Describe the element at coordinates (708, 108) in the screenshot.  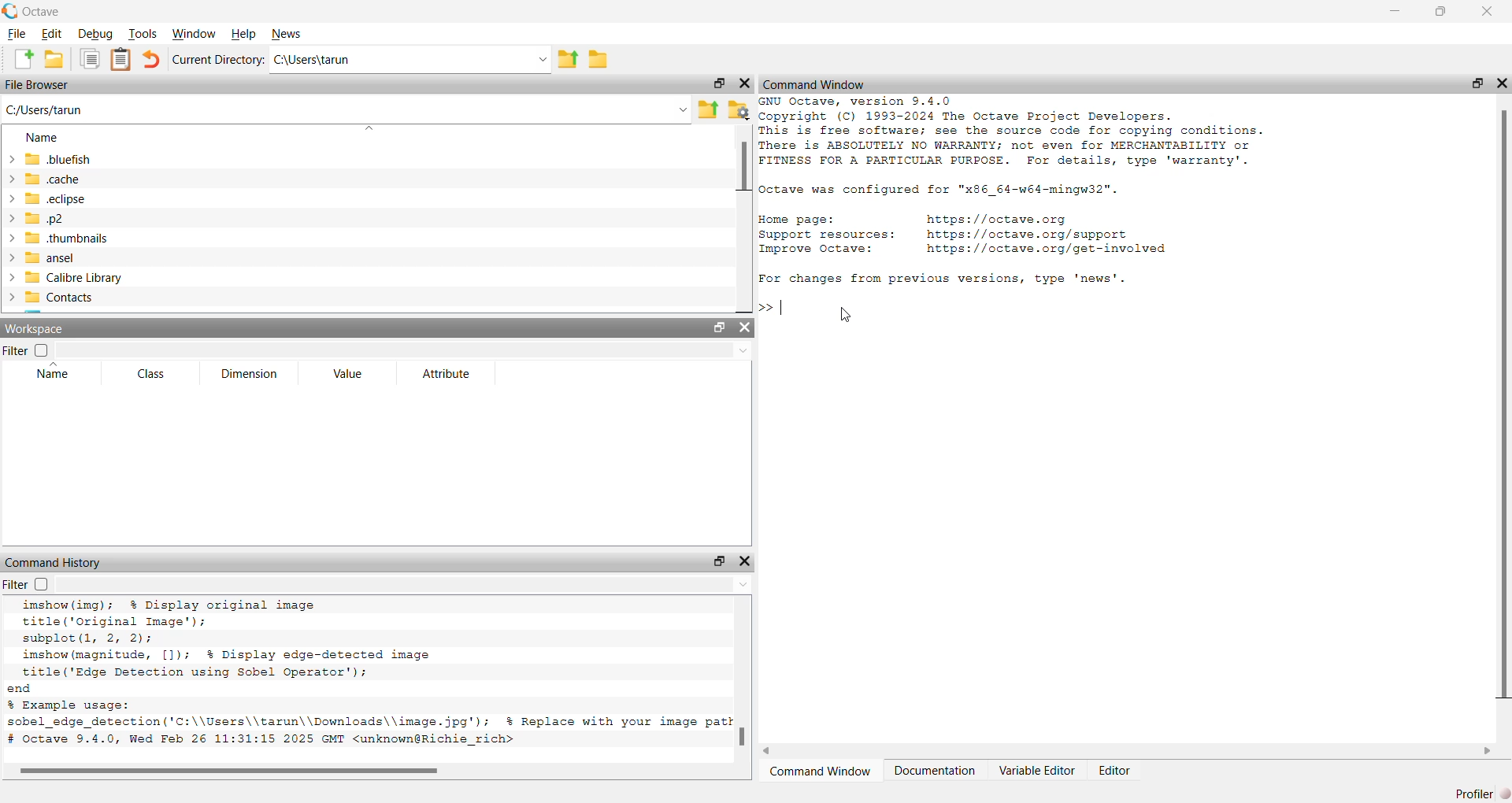
I see `parent directory` at that location.